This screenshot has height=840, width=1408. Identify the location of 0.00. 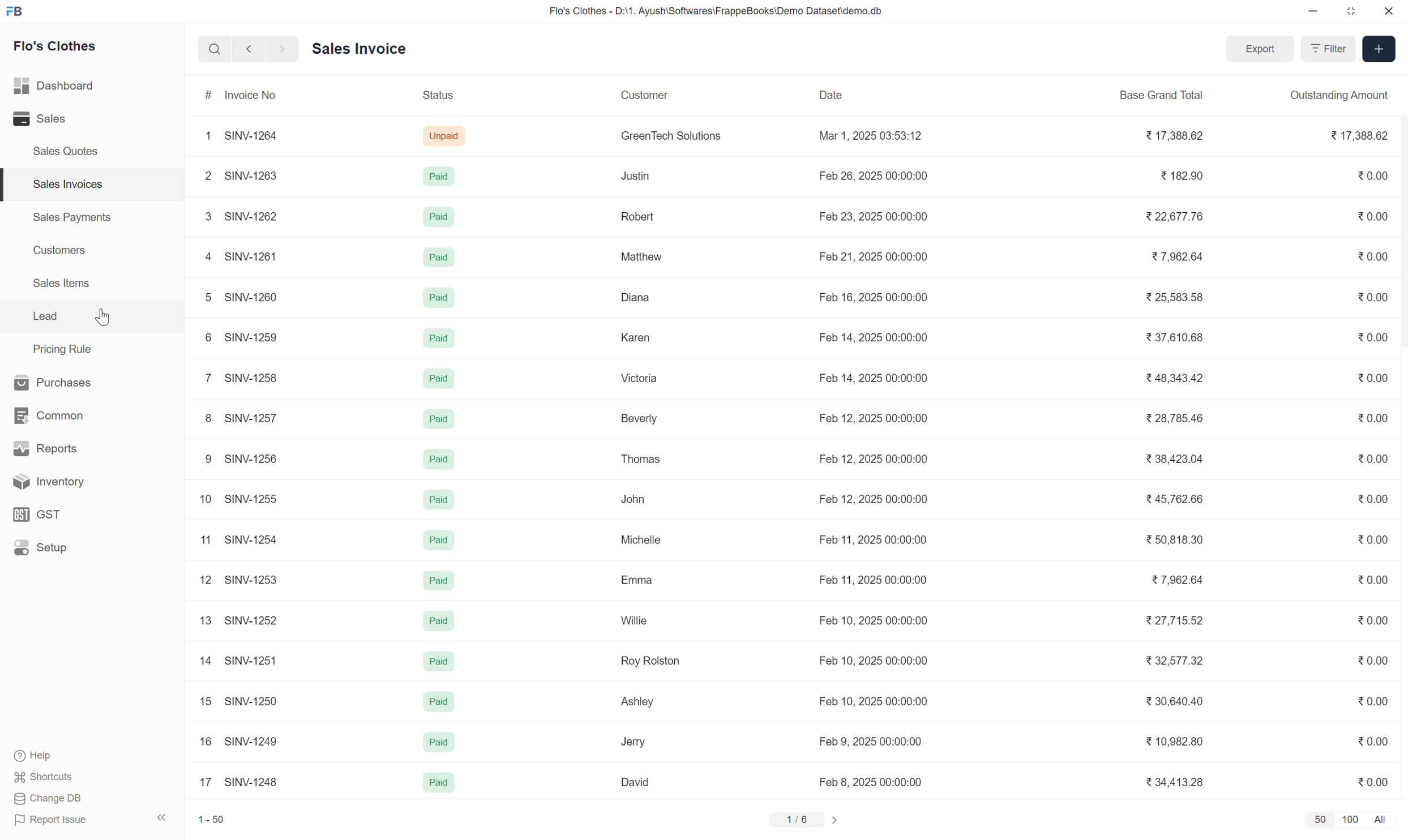
(1368, 255).